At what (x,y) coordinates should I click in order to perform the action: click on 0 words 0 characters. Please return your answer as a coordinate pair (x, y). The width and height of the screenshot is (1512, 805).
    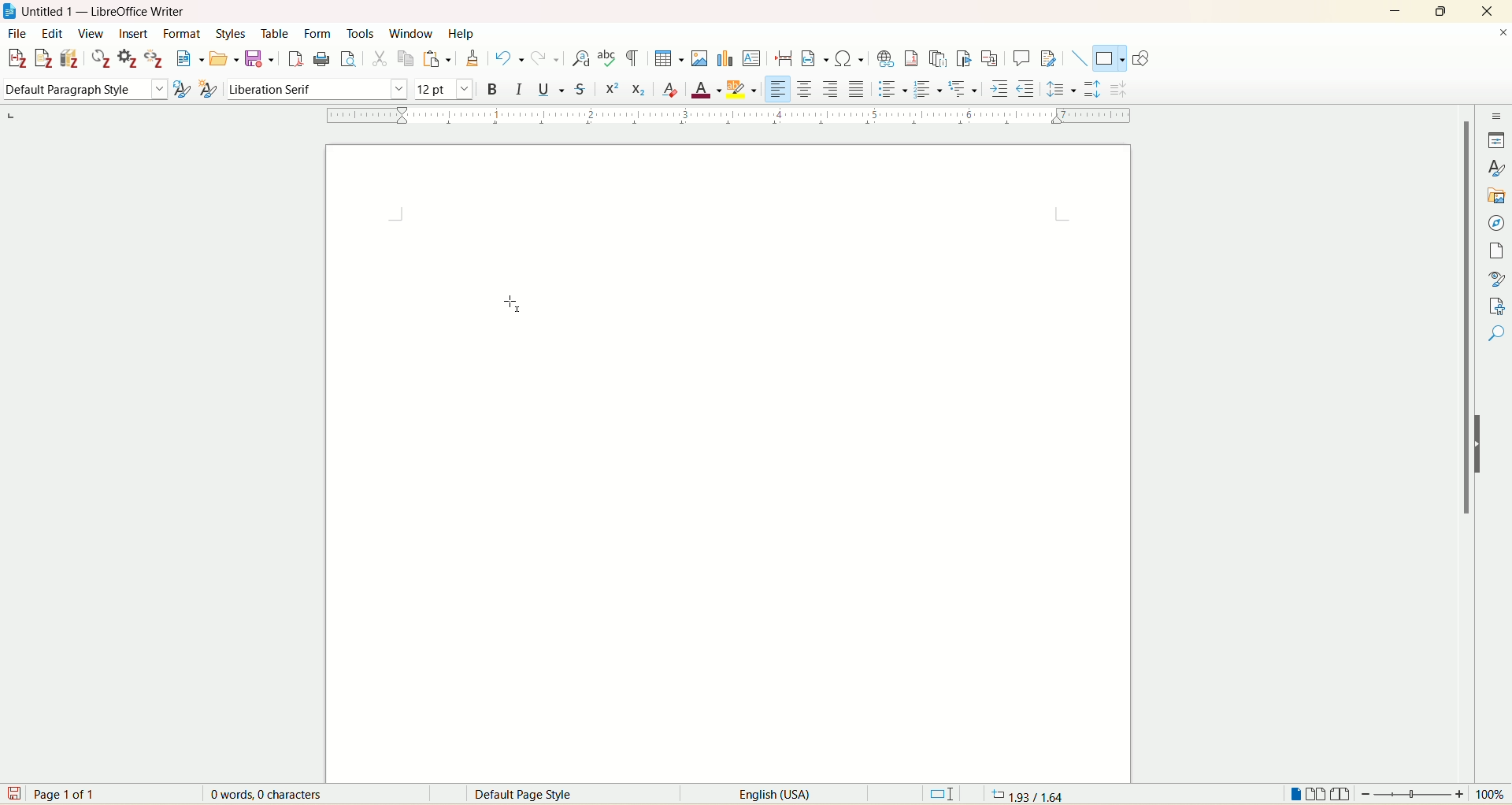
    Looking at the image, I should click on (276, 794).